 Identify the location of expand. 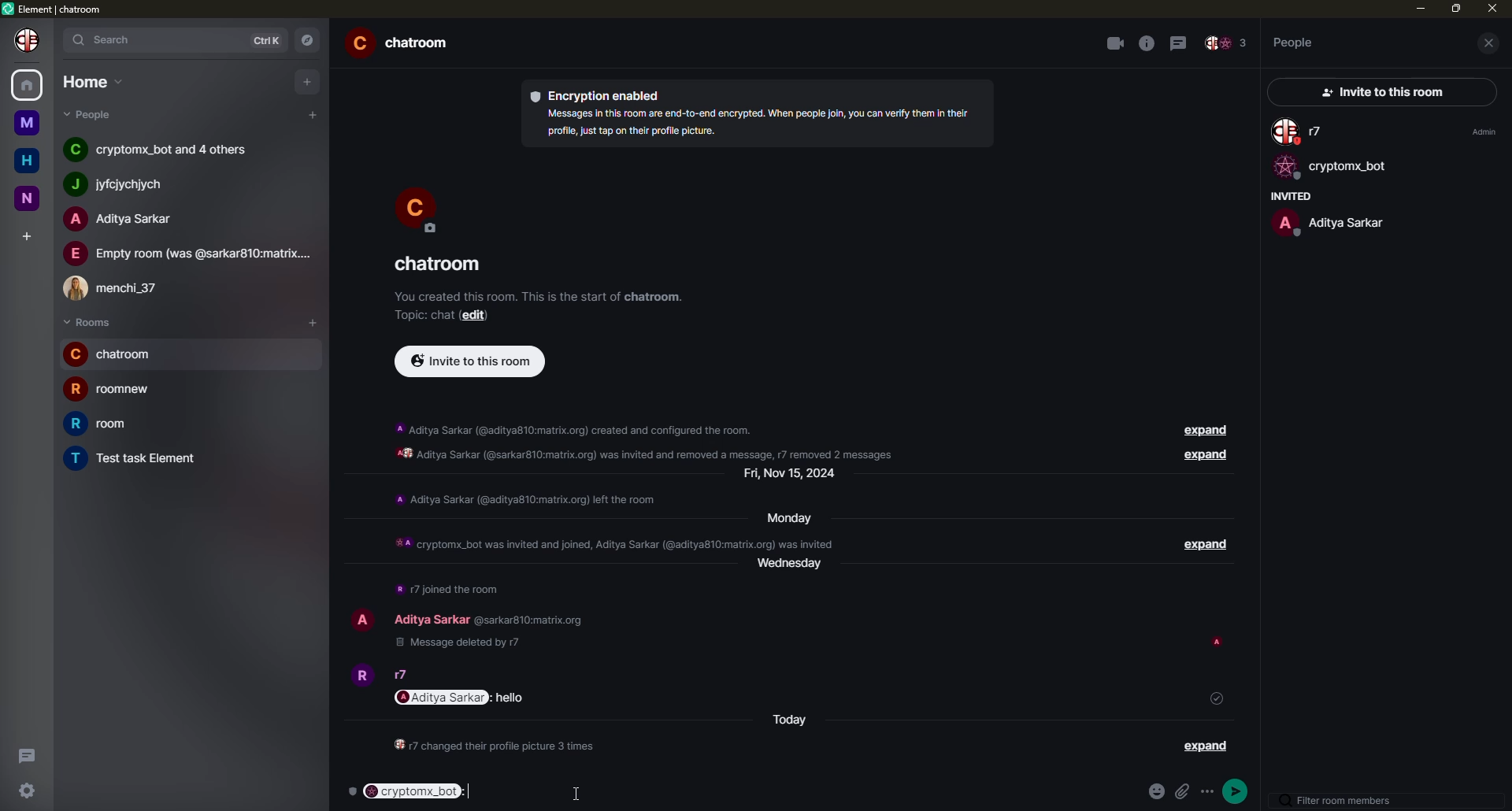
(1200, 457).